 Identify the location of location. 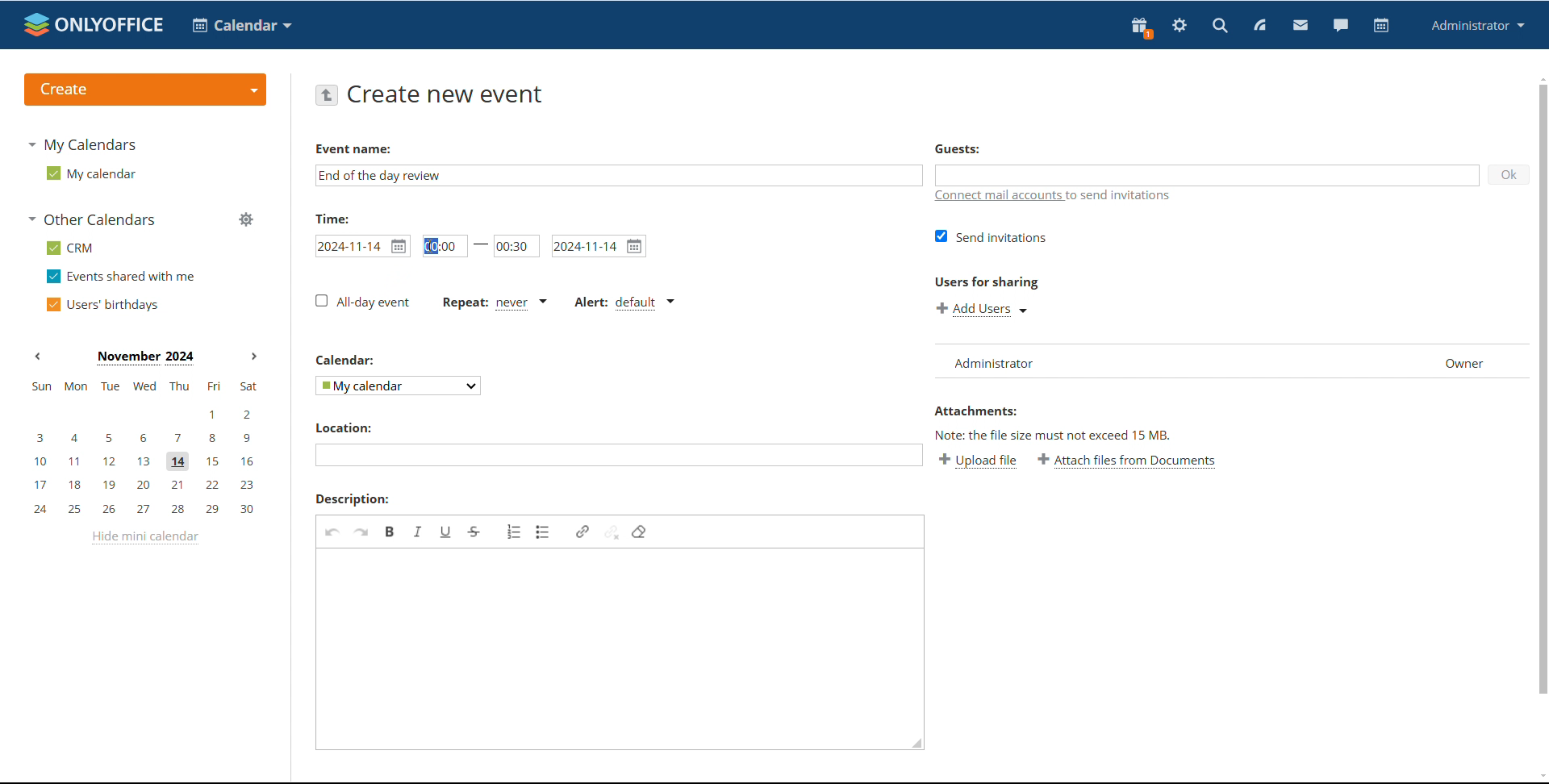
(342, 427).